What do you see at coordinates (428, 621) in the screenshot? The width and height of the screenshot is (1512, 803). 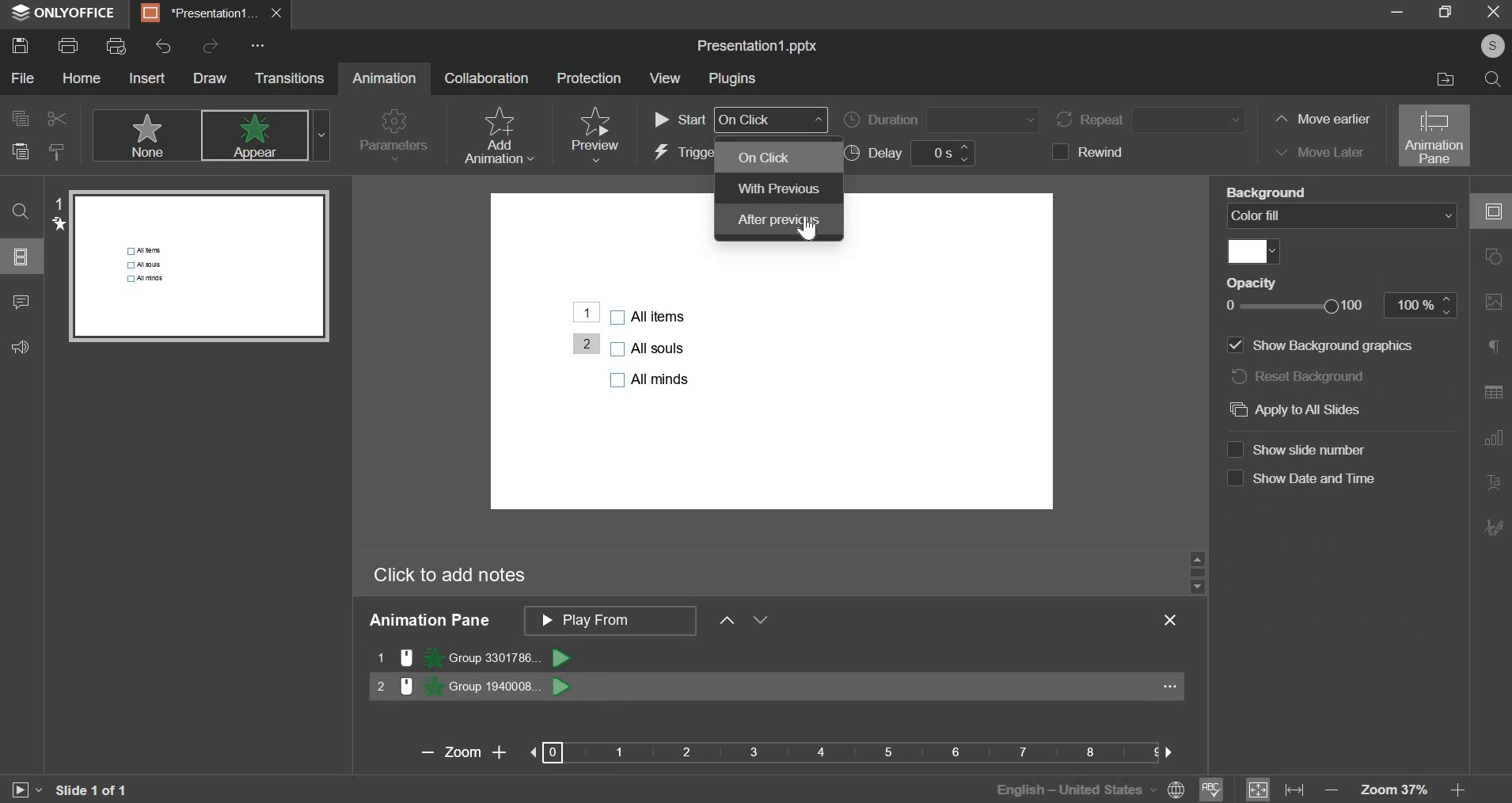 I see `animation pane` at bounding box center [428, 621].